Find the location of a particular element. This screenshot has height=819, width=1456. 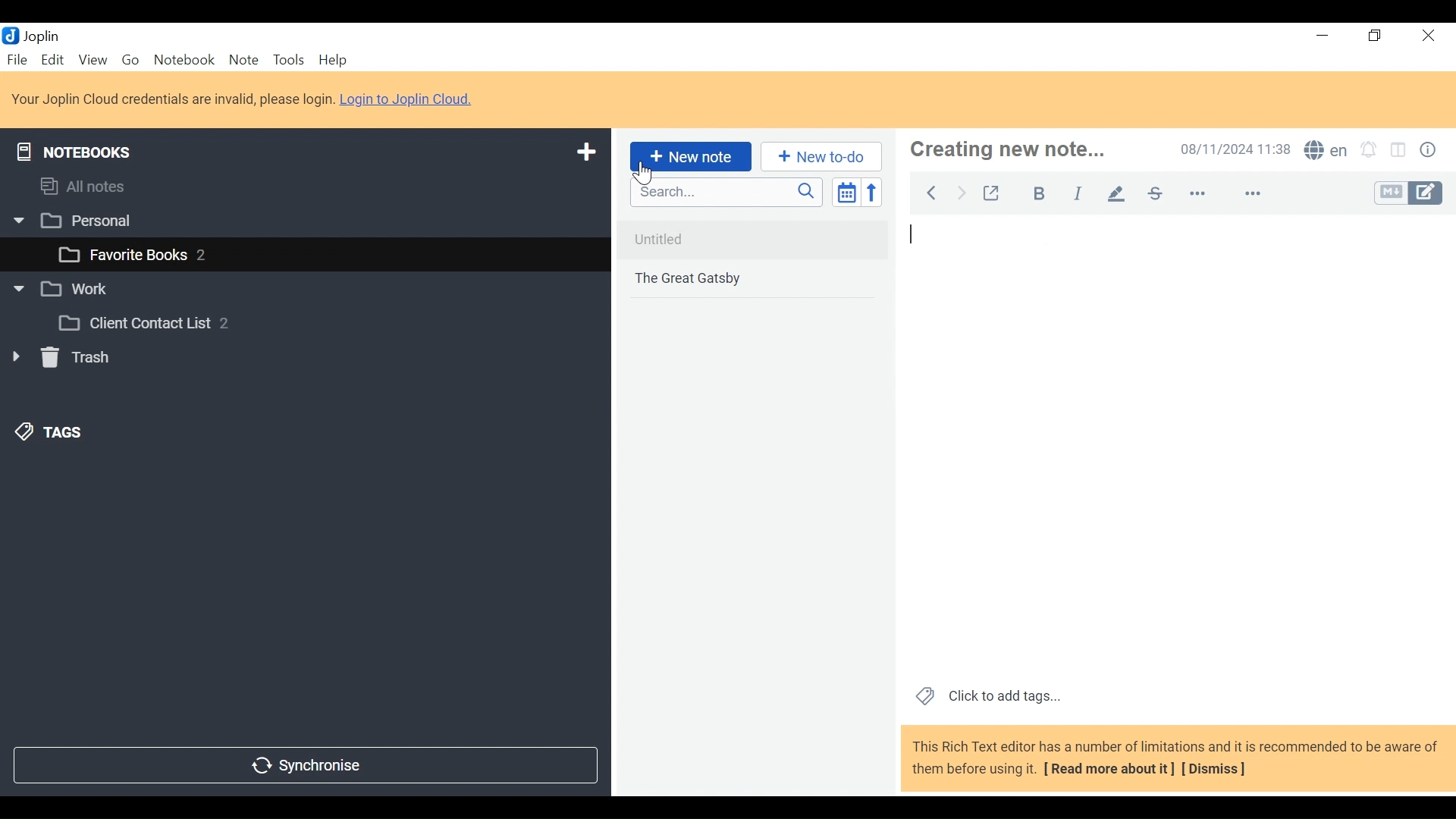

Highlight is located at coordinates (1116, 194).